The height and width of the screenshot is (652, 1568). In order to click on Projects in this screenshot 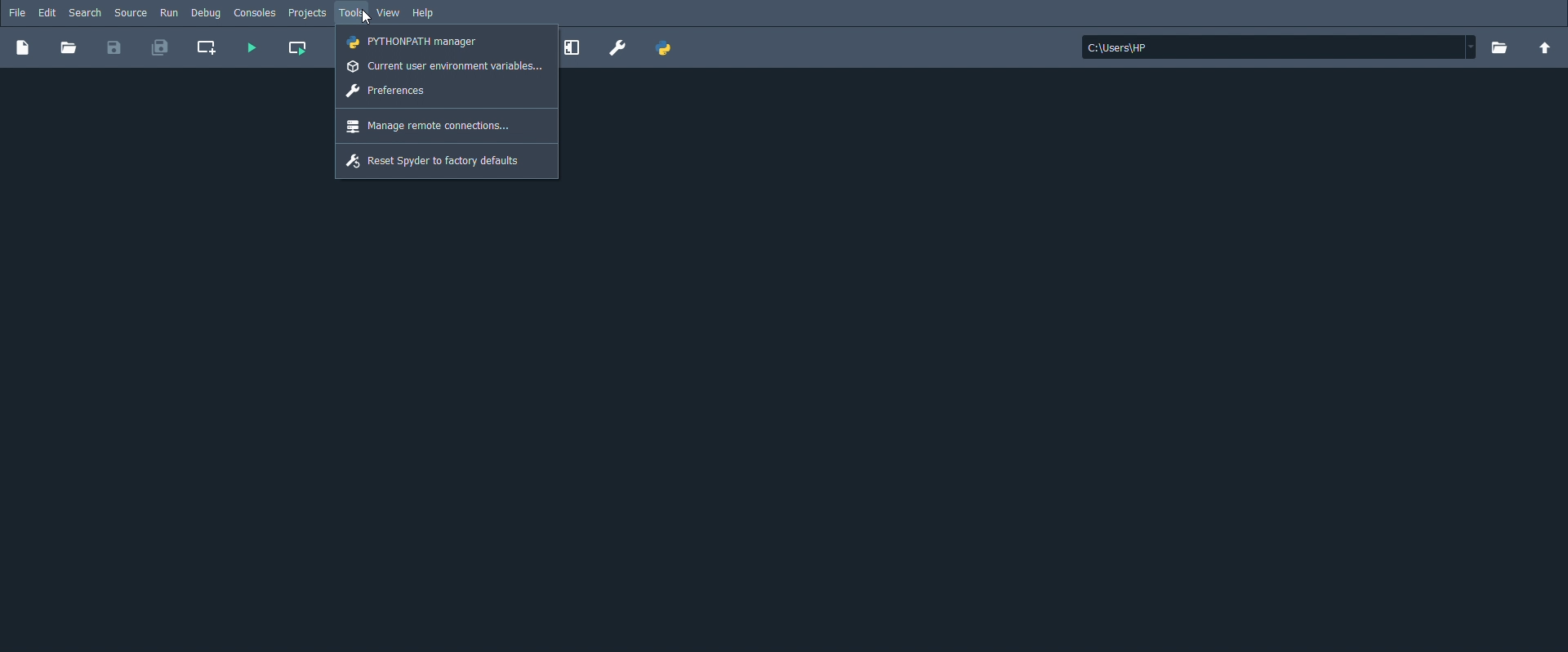, I will do `click(308, 14)`.